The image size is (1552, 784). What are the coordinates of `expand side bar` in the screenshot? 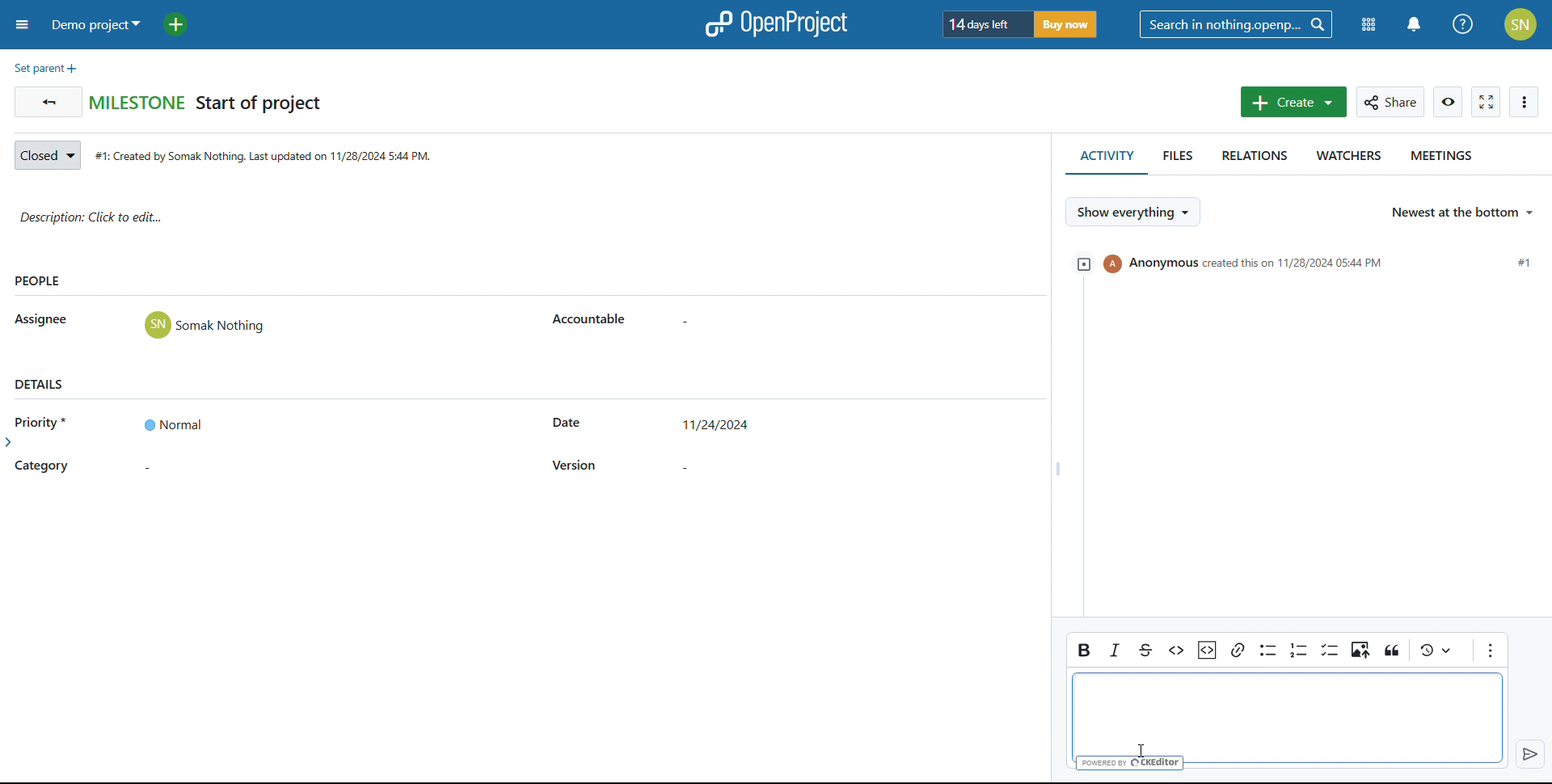 It's located at (11, 445).